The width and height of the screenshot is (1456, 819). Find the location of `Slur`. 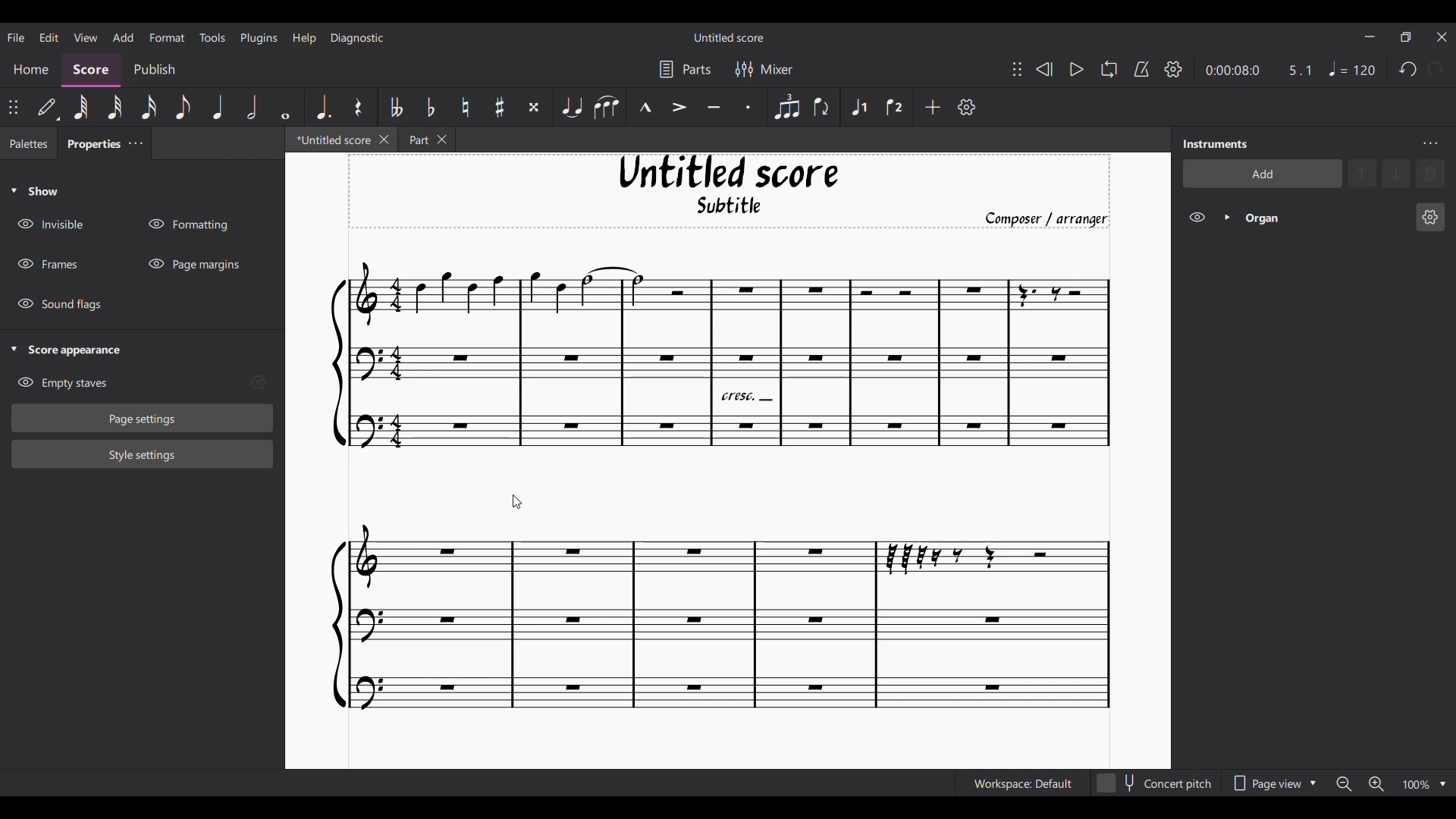

Slur is located at coordinates (606, 107).